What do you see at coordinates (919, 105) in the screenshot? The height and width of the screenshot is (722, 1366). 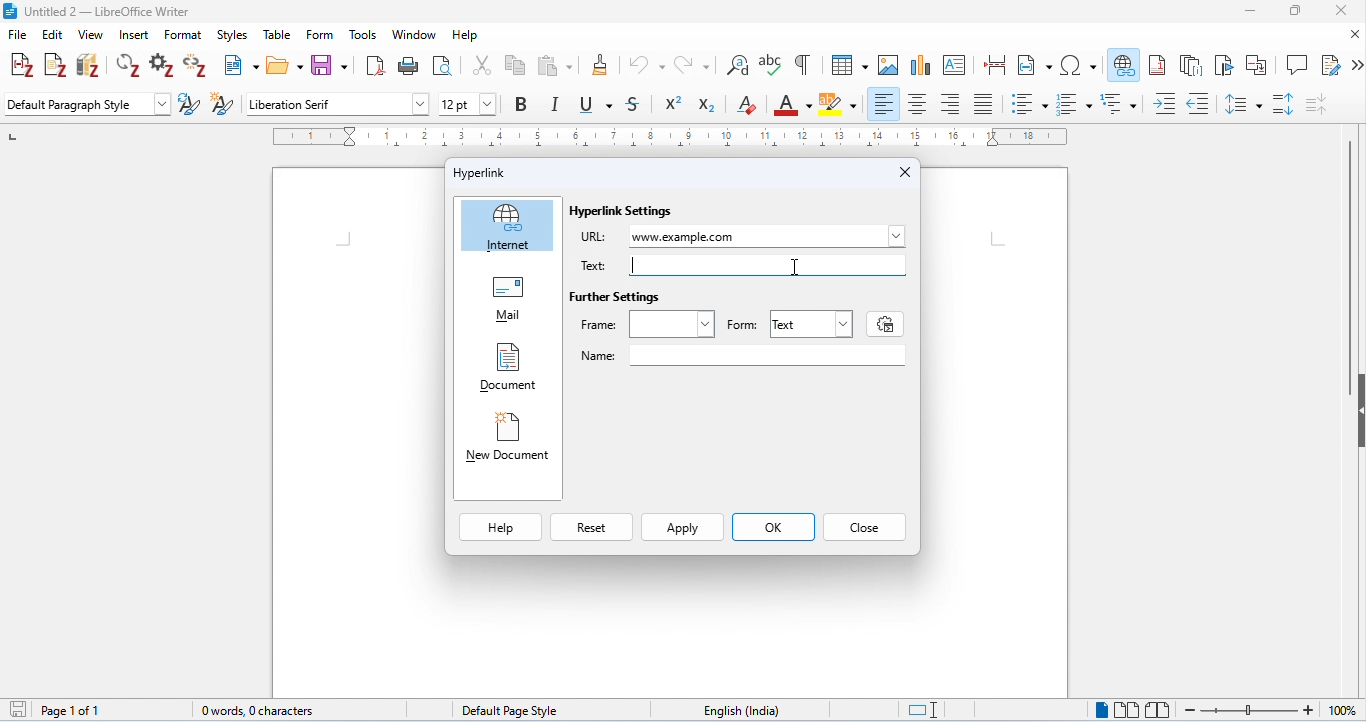 I see `align center` at bounding box center [919, 105].